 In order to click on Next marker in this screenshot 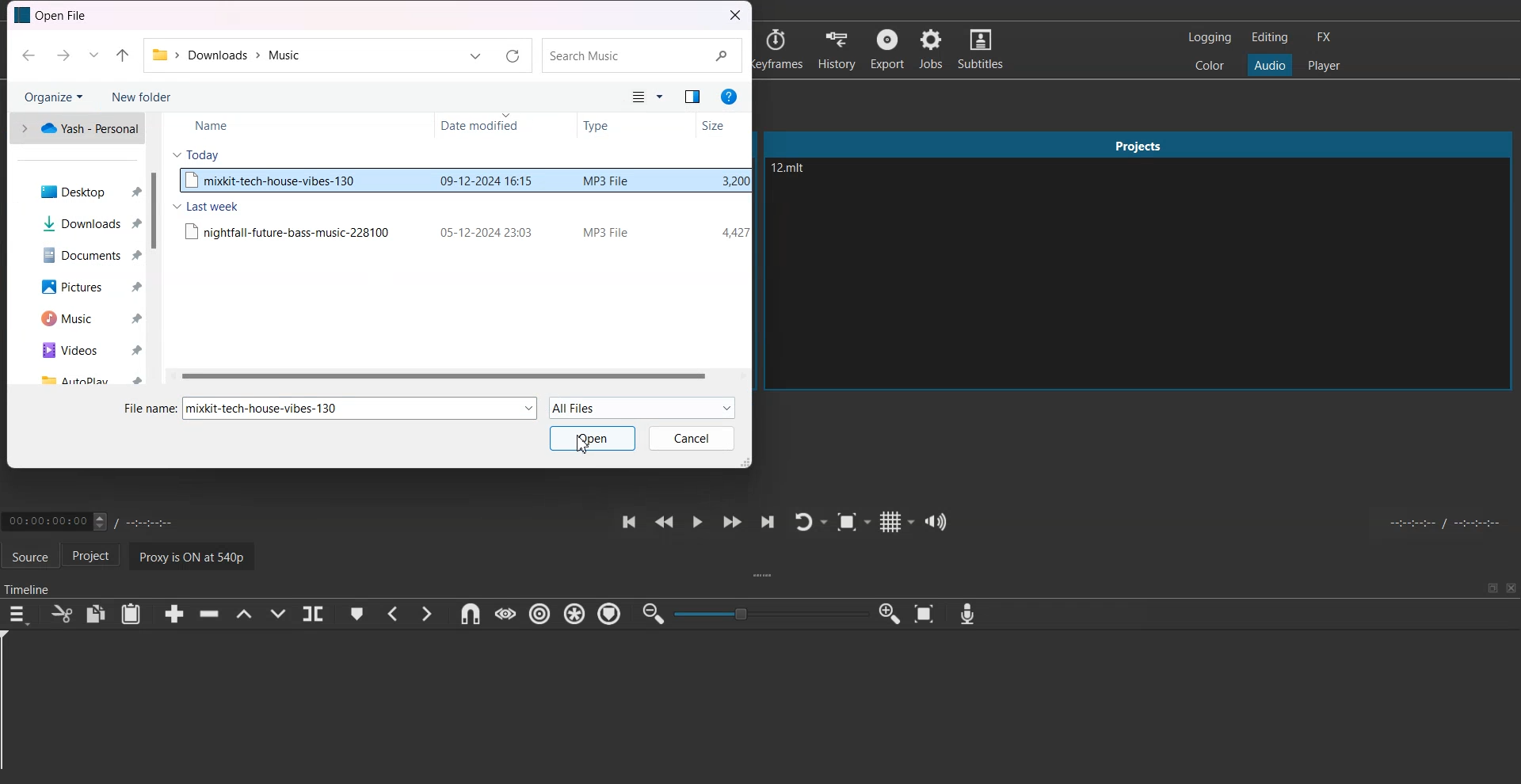, I will do `click(427, 613)`.